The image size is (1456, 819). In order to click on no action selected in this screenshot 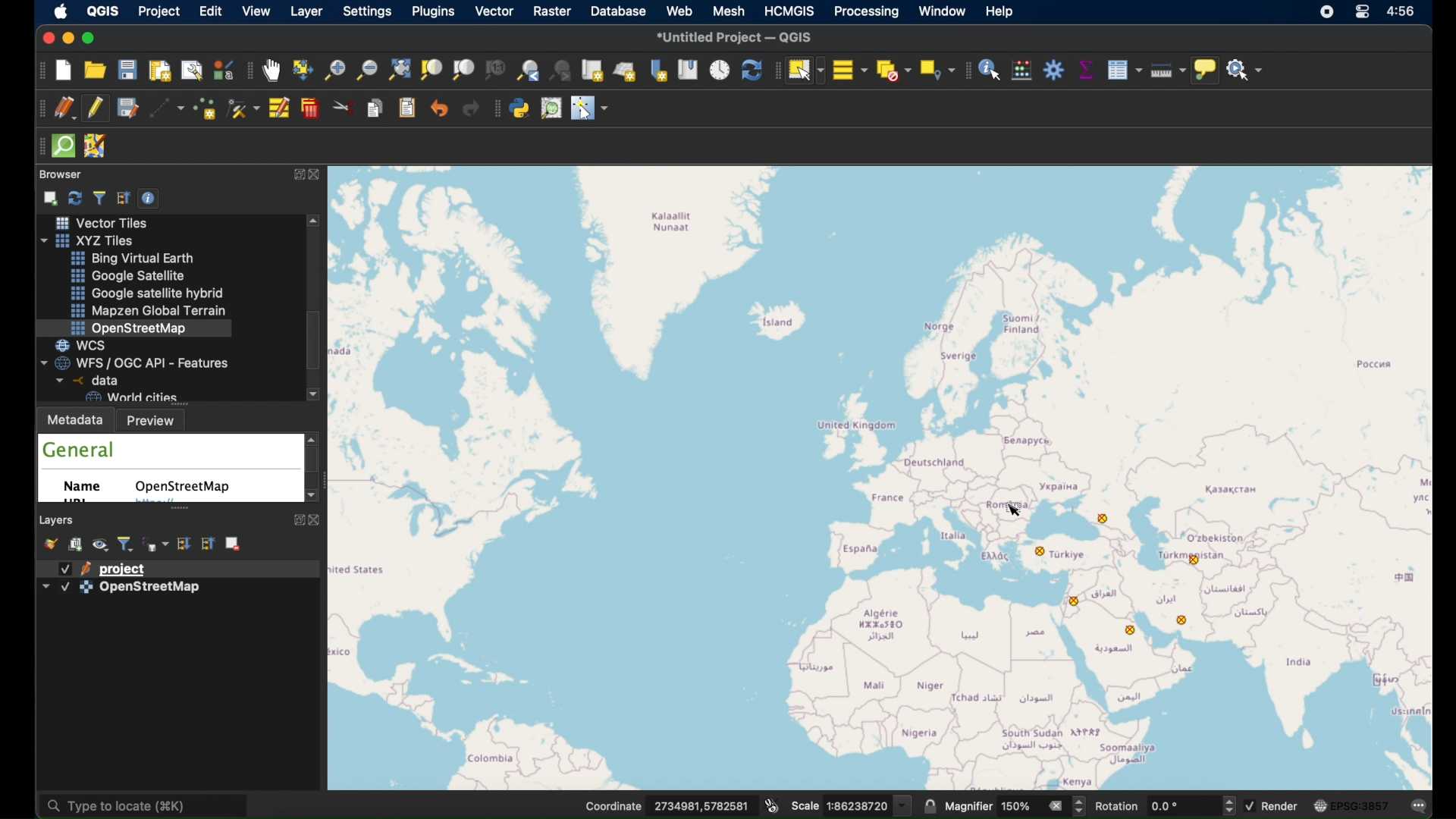, I will do `click(1246, 71)`.